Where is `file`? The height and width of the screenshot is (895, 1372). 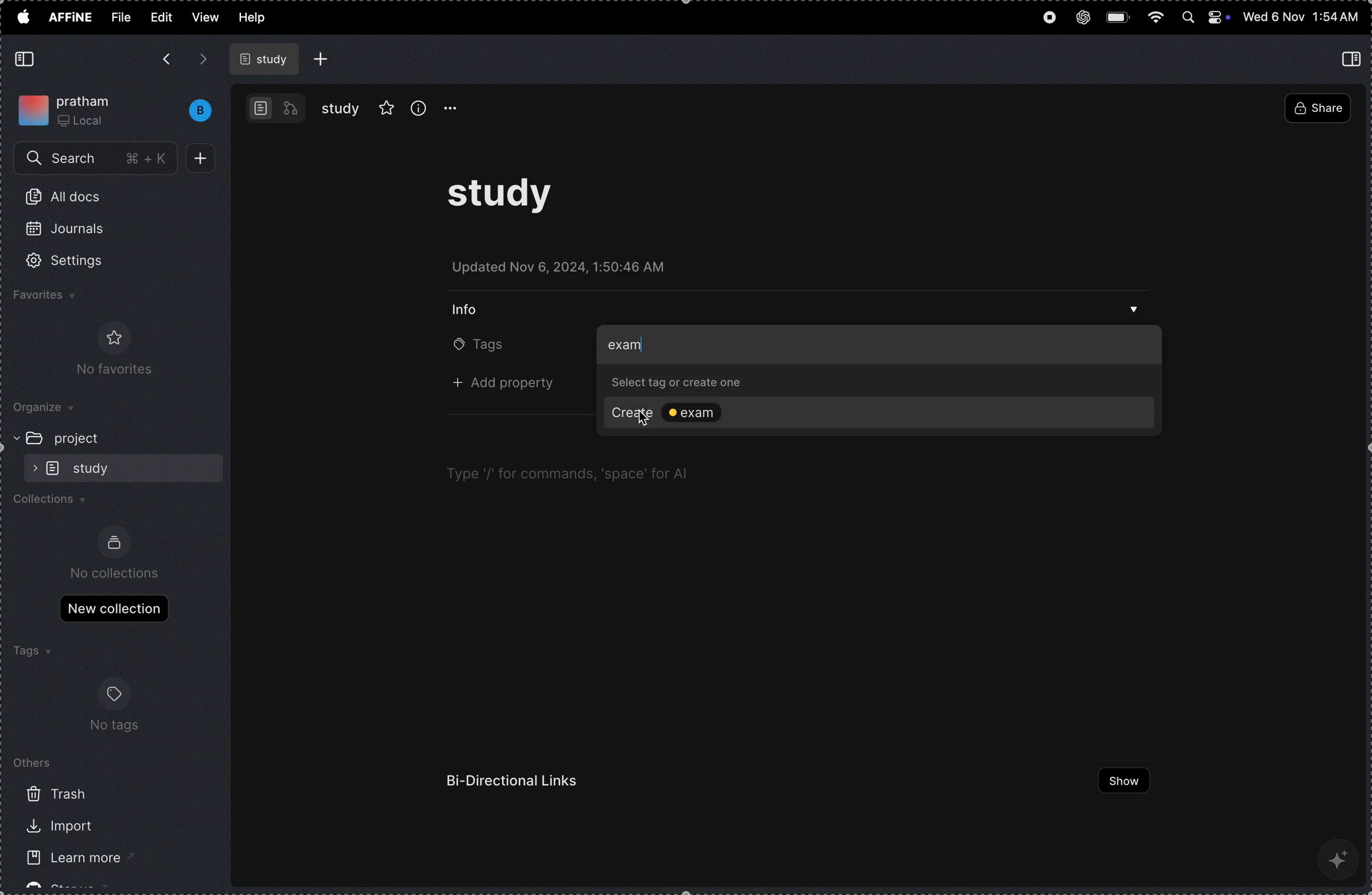
file is located at coordinates (121, 17).